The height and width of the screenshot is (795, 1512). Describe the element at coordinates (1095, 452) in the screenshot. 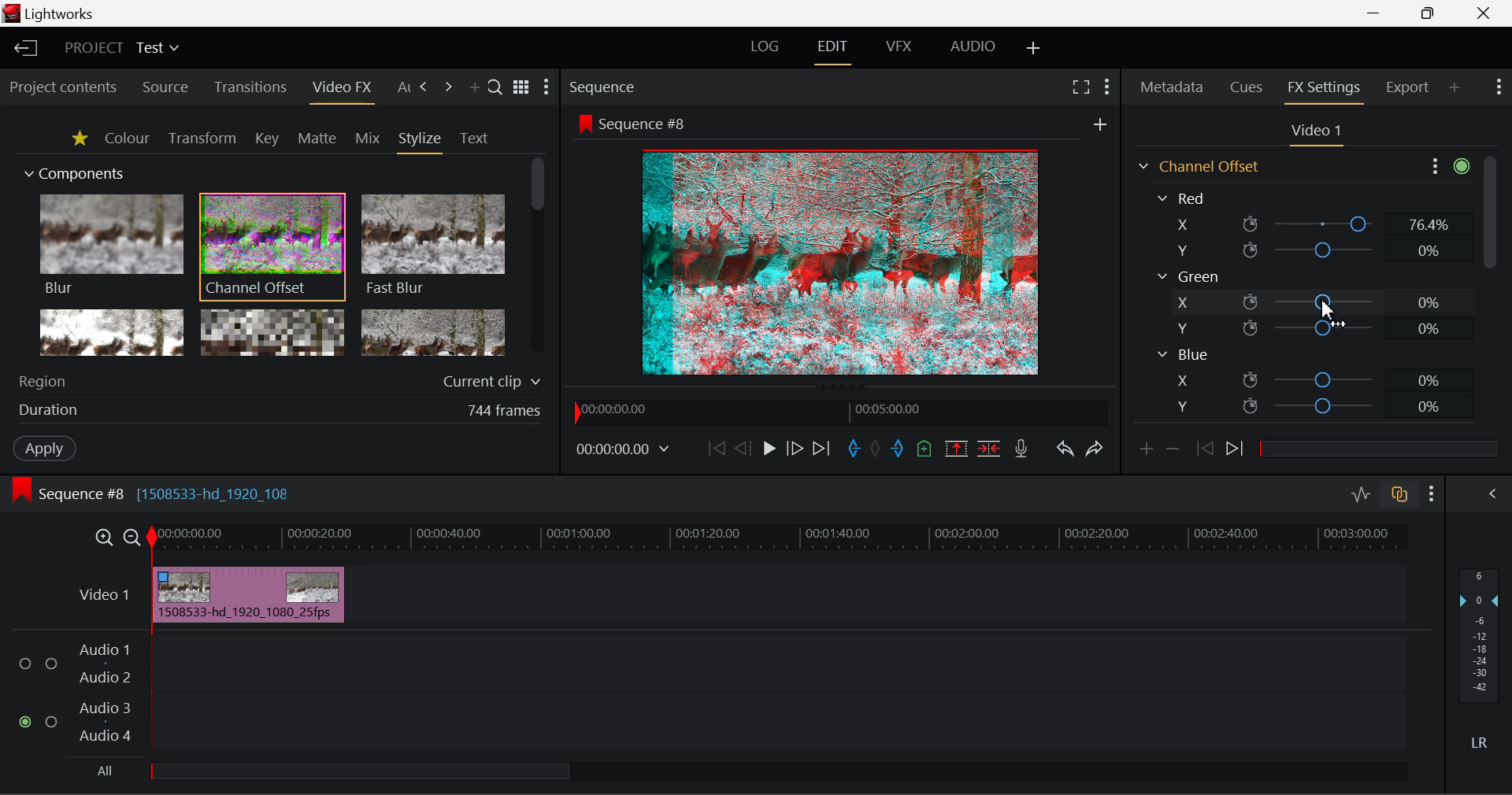

I see `Redo` at that location.